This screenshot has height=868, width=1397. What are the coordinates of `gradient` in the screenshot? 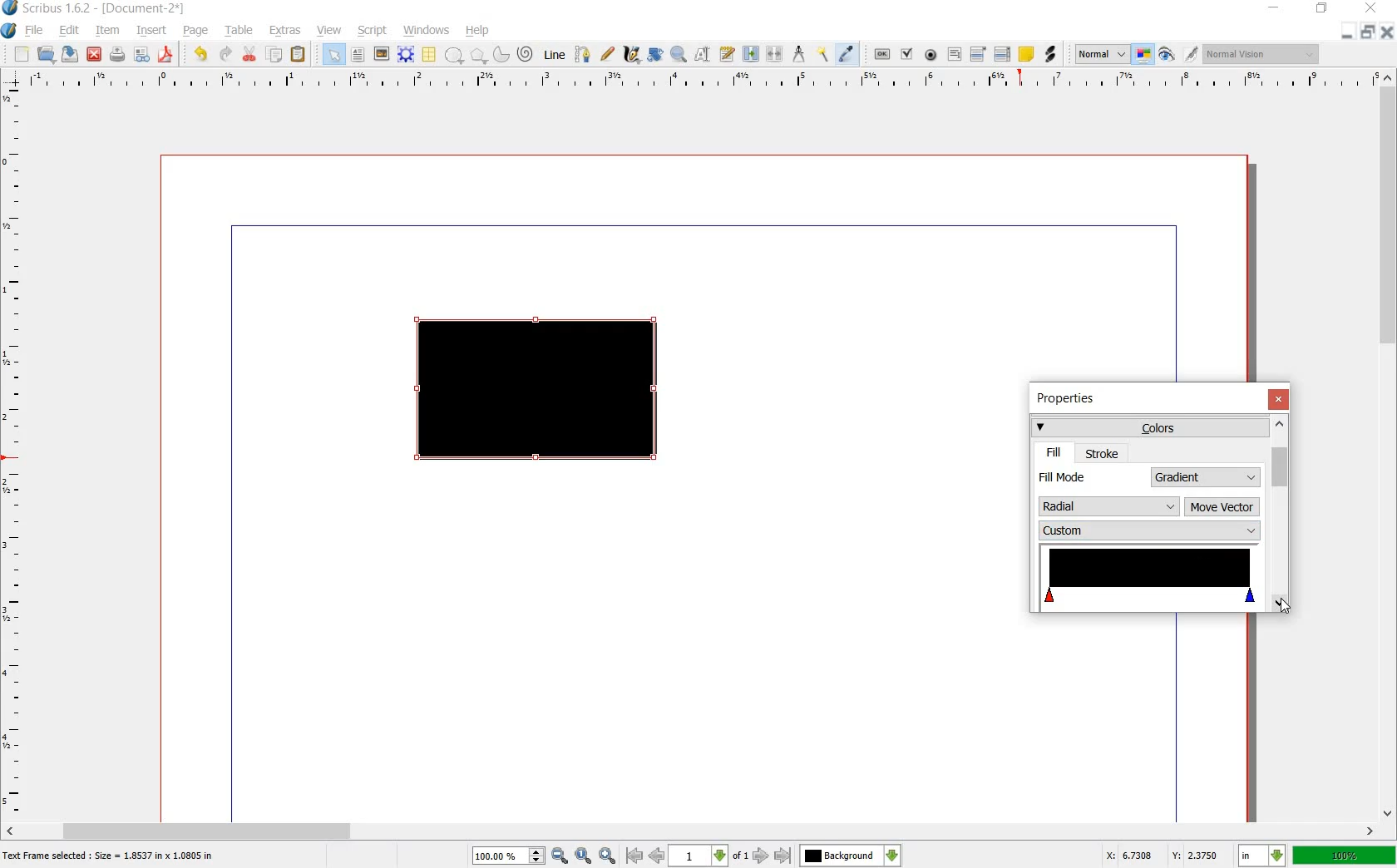 It's located at (1207, 477).